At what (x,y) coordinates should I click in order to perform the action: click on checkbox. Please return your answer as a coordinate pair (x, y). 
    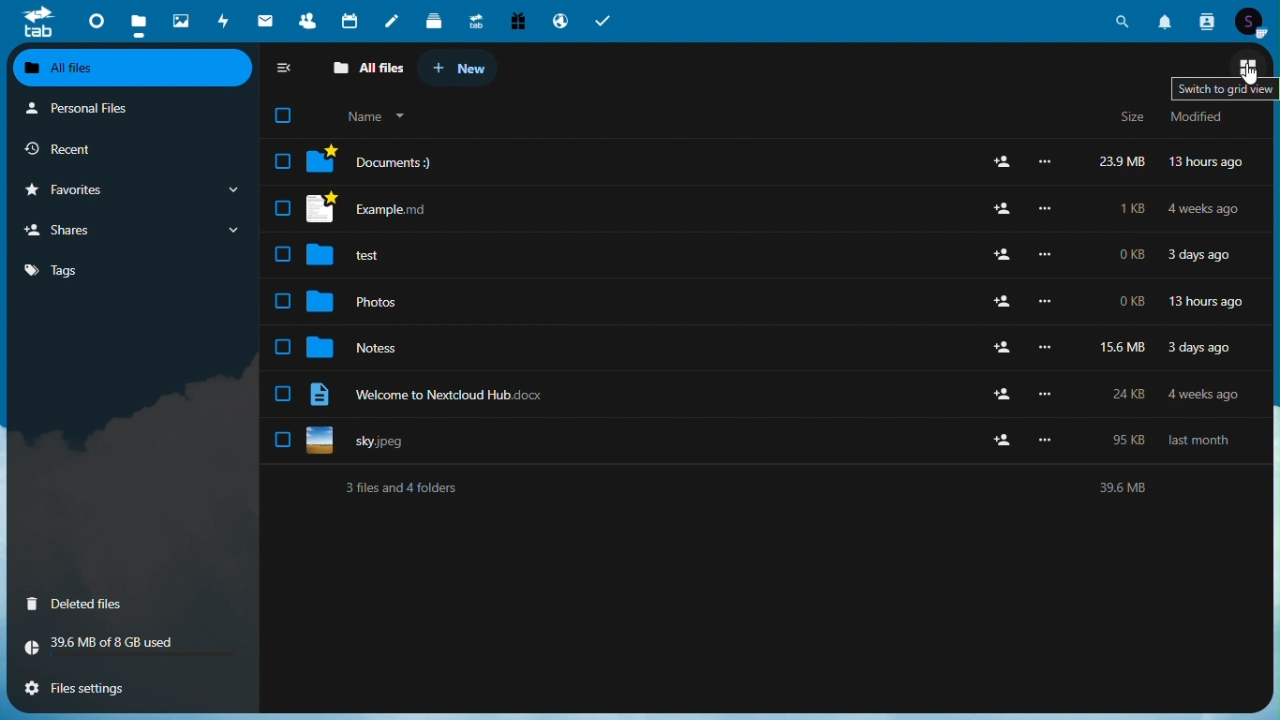
    Looking at the image, I should click on (283, 115).